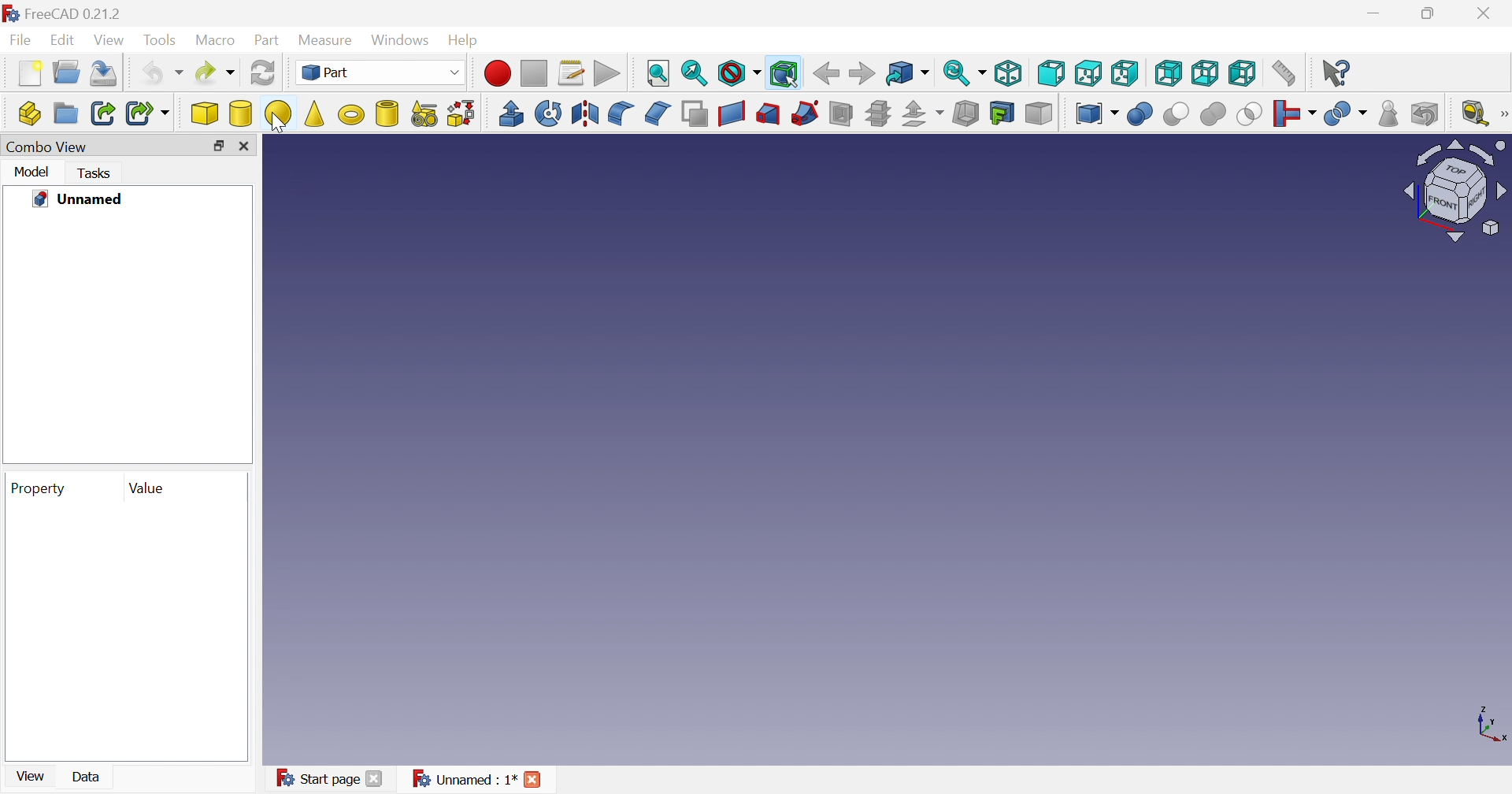 Image resolution: width=1512 pixels, height=794 pixels. Describe the element at coordinates (1492, 725) in the screenshot. I see `x, y axis` at that location.